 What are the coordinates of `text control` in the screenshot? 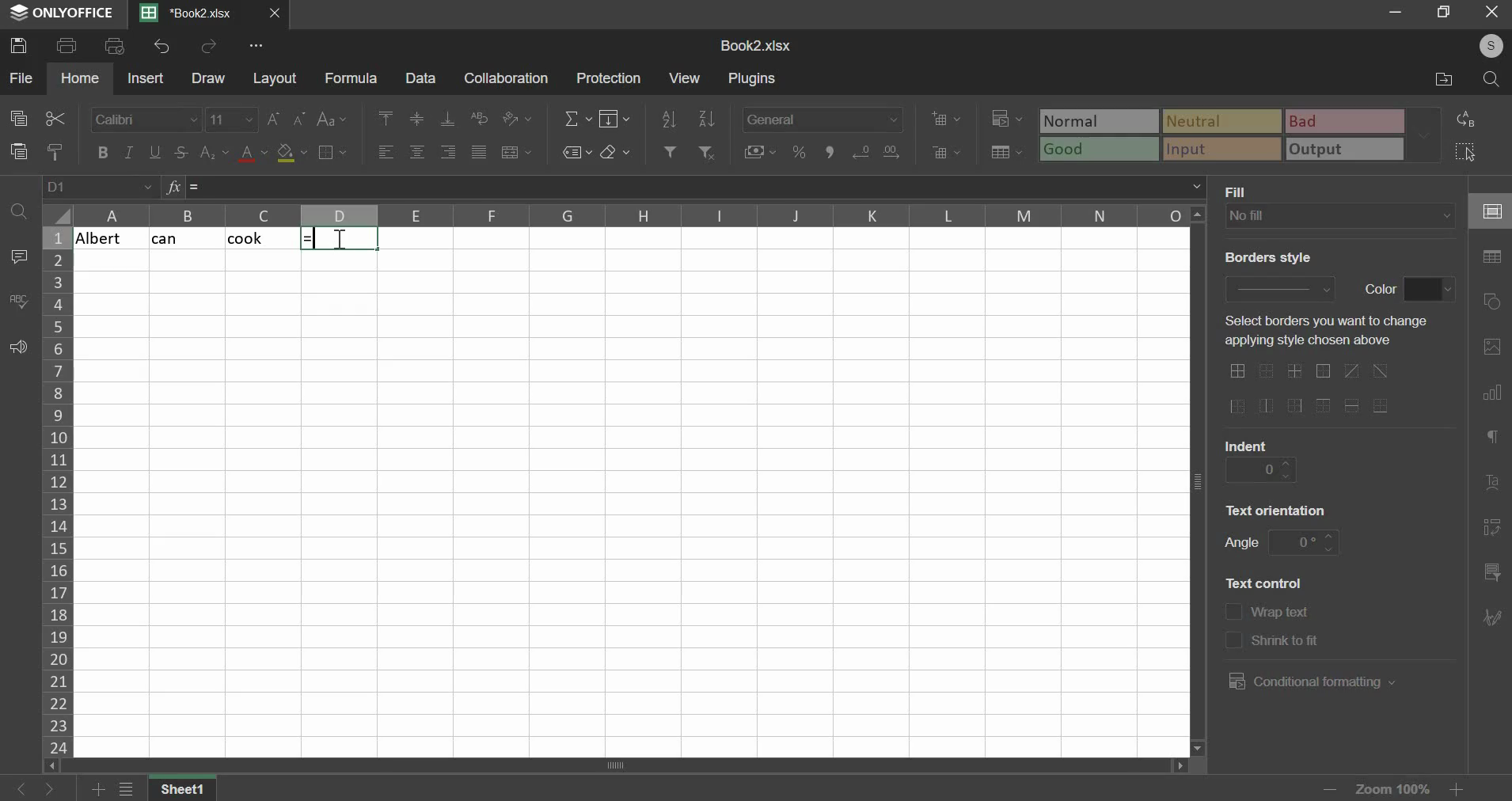 It's located at (1233, 626).